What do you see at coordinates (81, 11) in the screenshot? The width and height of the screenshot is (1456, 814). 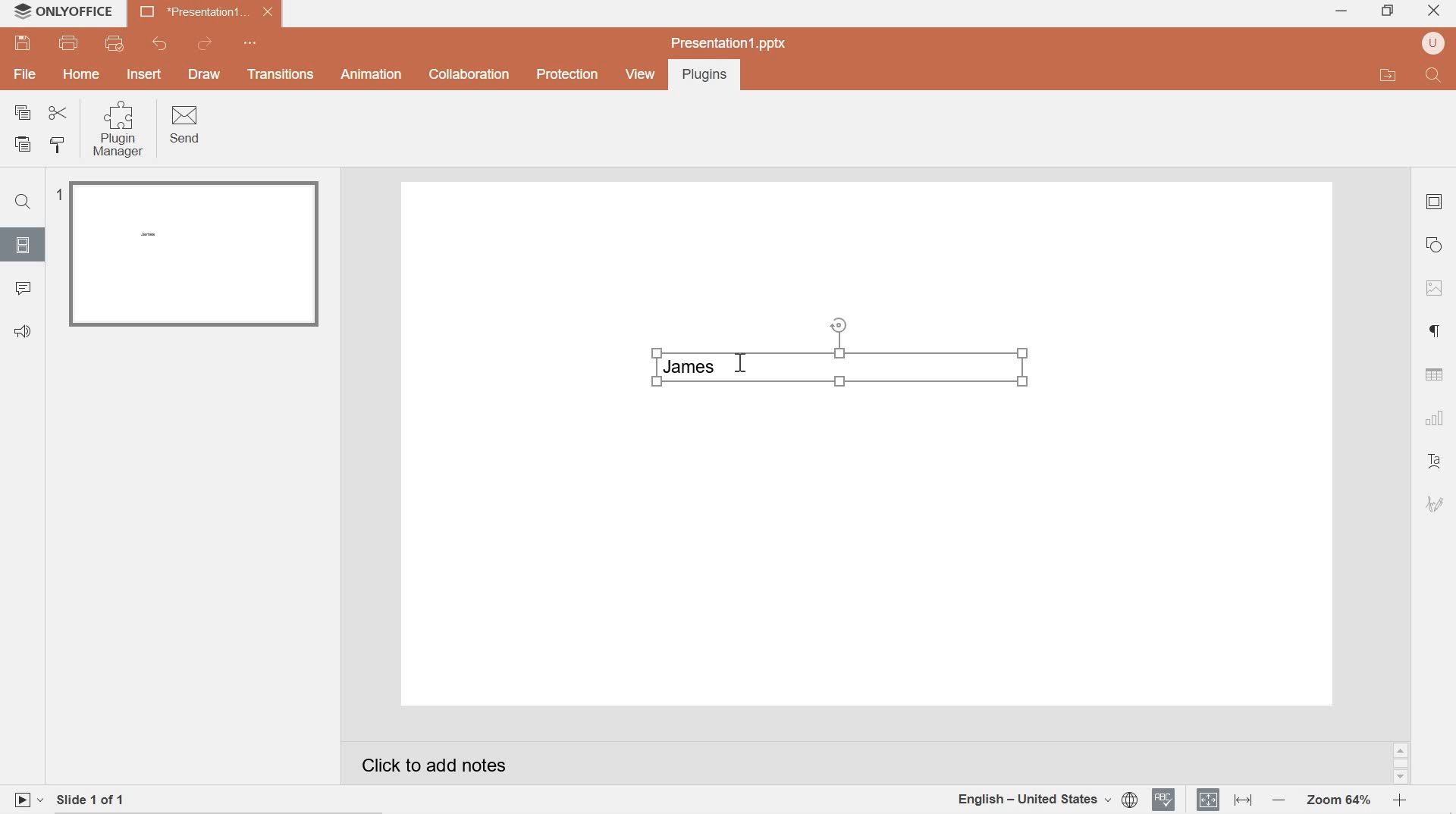 I see `system name` at bounding box center [81, 11].